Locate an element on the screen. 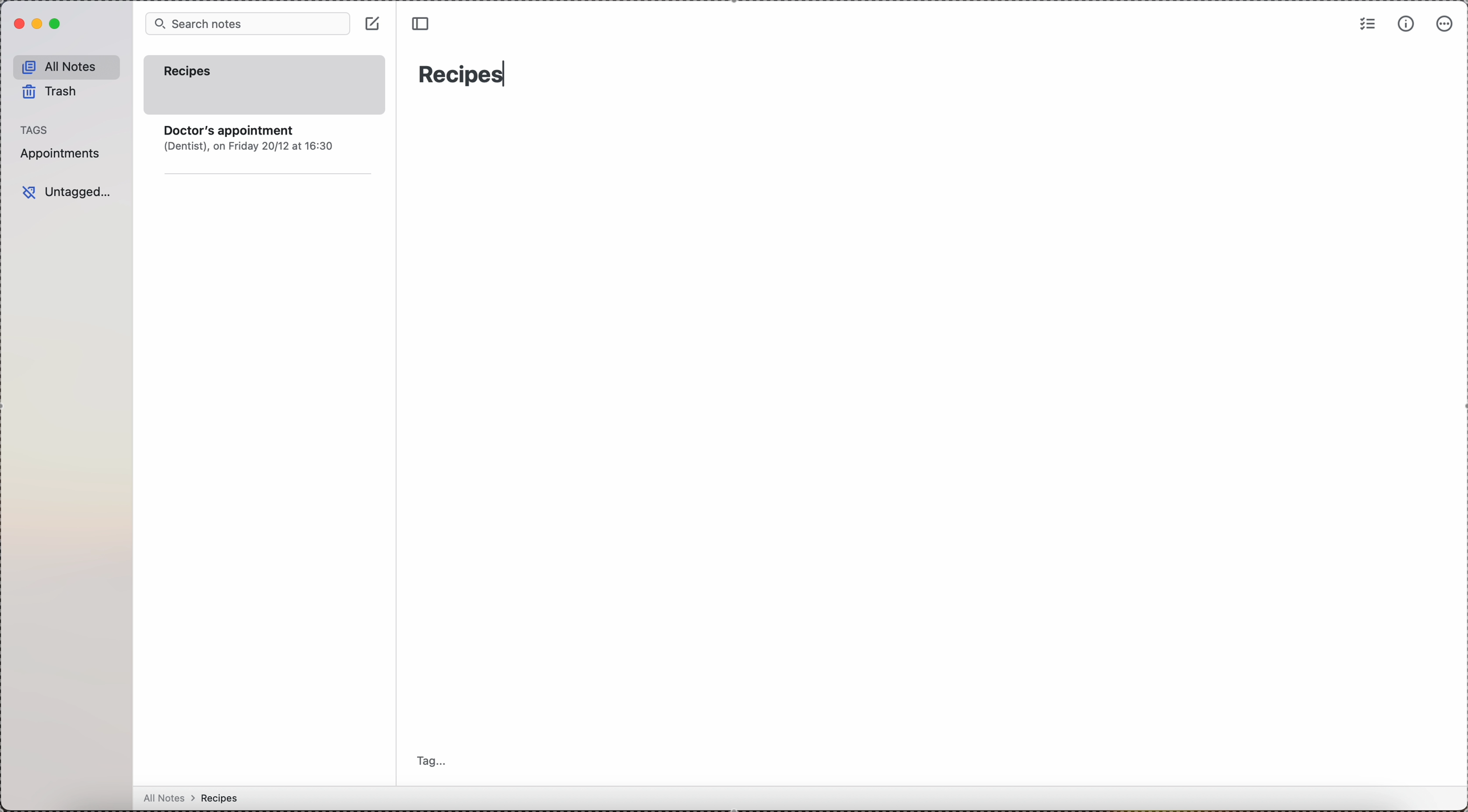  recipes note is located at coordinates (264, 85).